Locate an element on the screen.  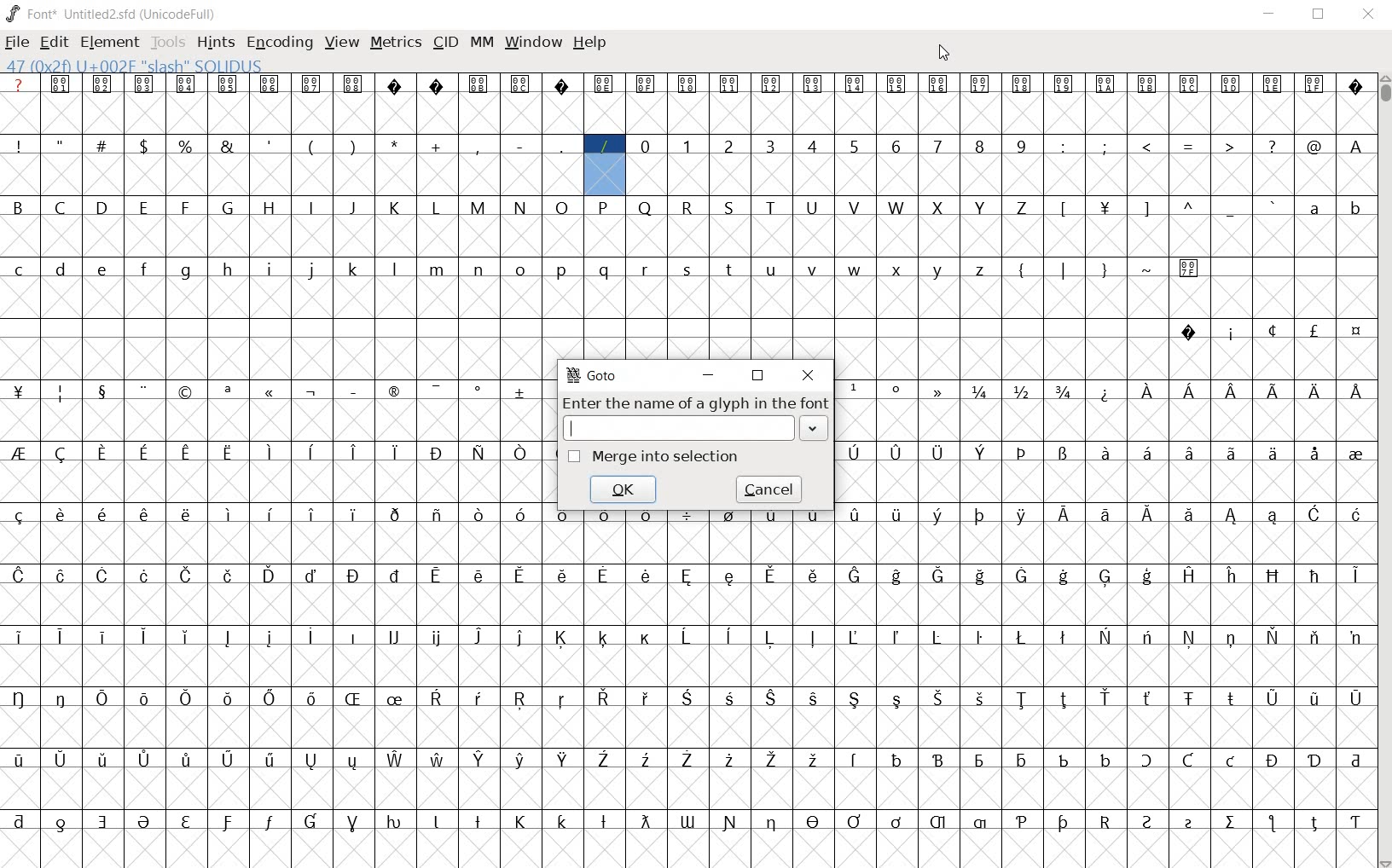
glyph is located at coordinates (728, 760).